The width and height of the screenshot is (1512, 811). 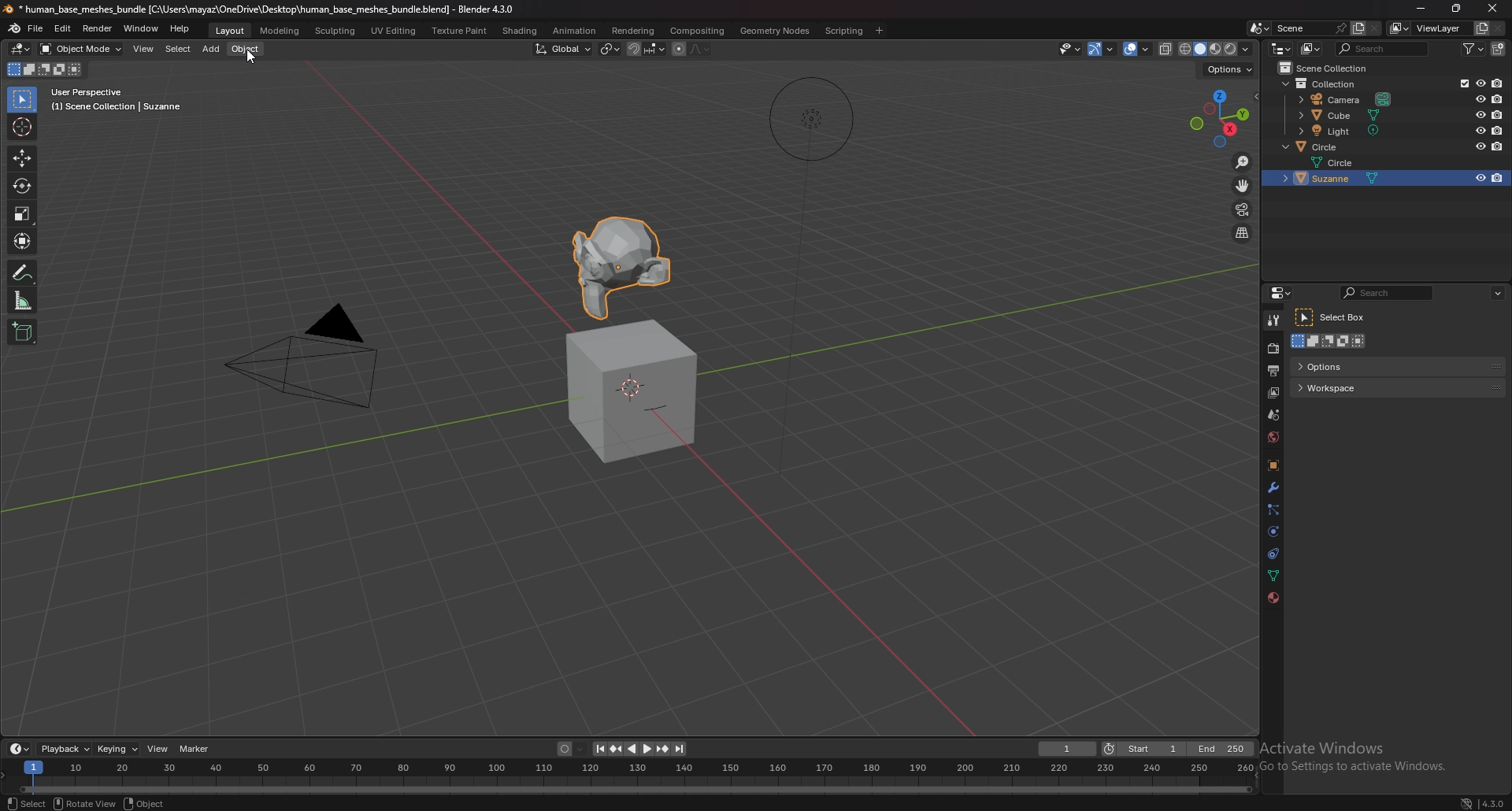 What do you see at coordinates (681, 749) in the screenshot?
I see `jump to end` at bounding box center [681, 749].